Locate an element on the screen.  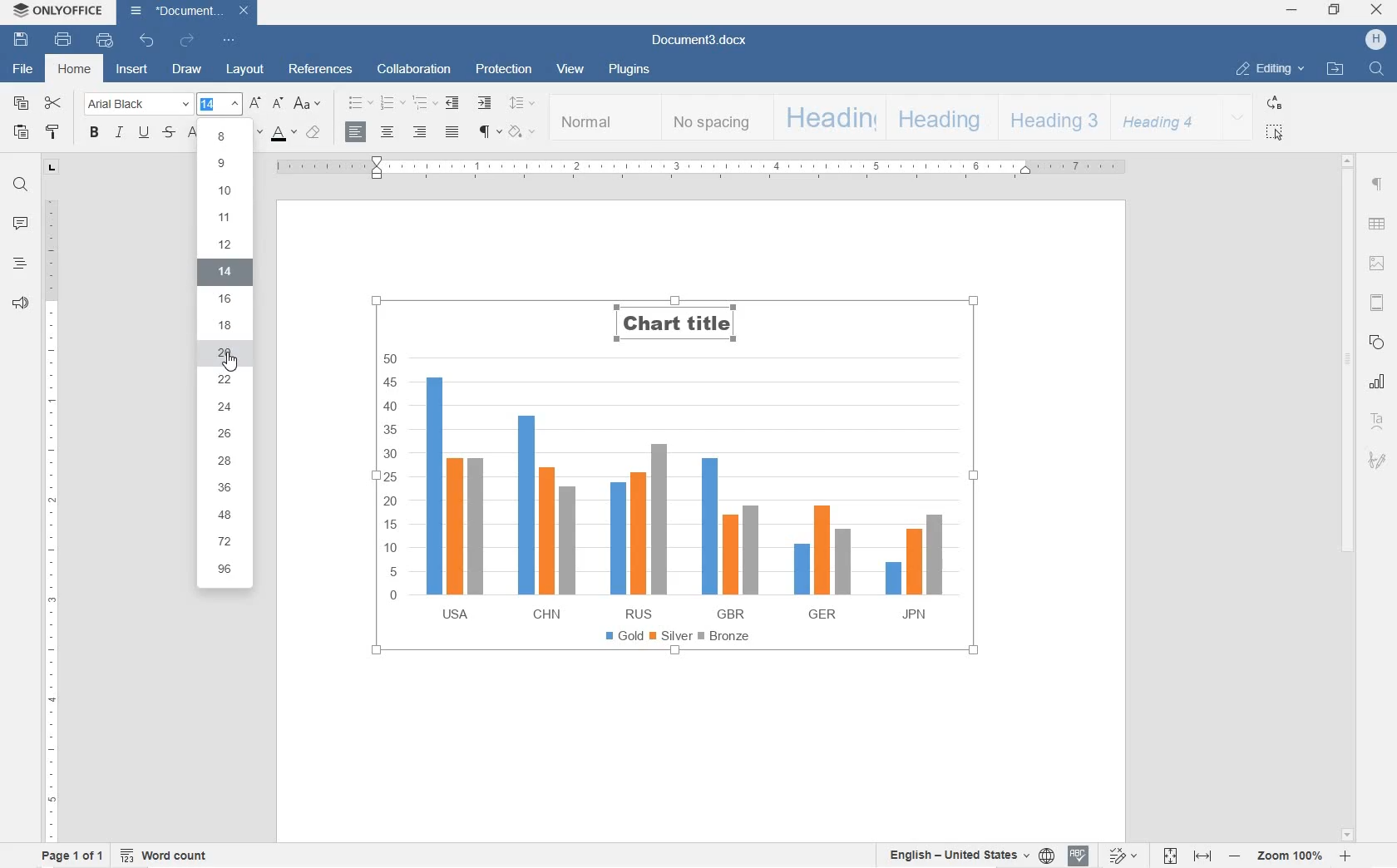
HOME is located at coordinates (74, 71).